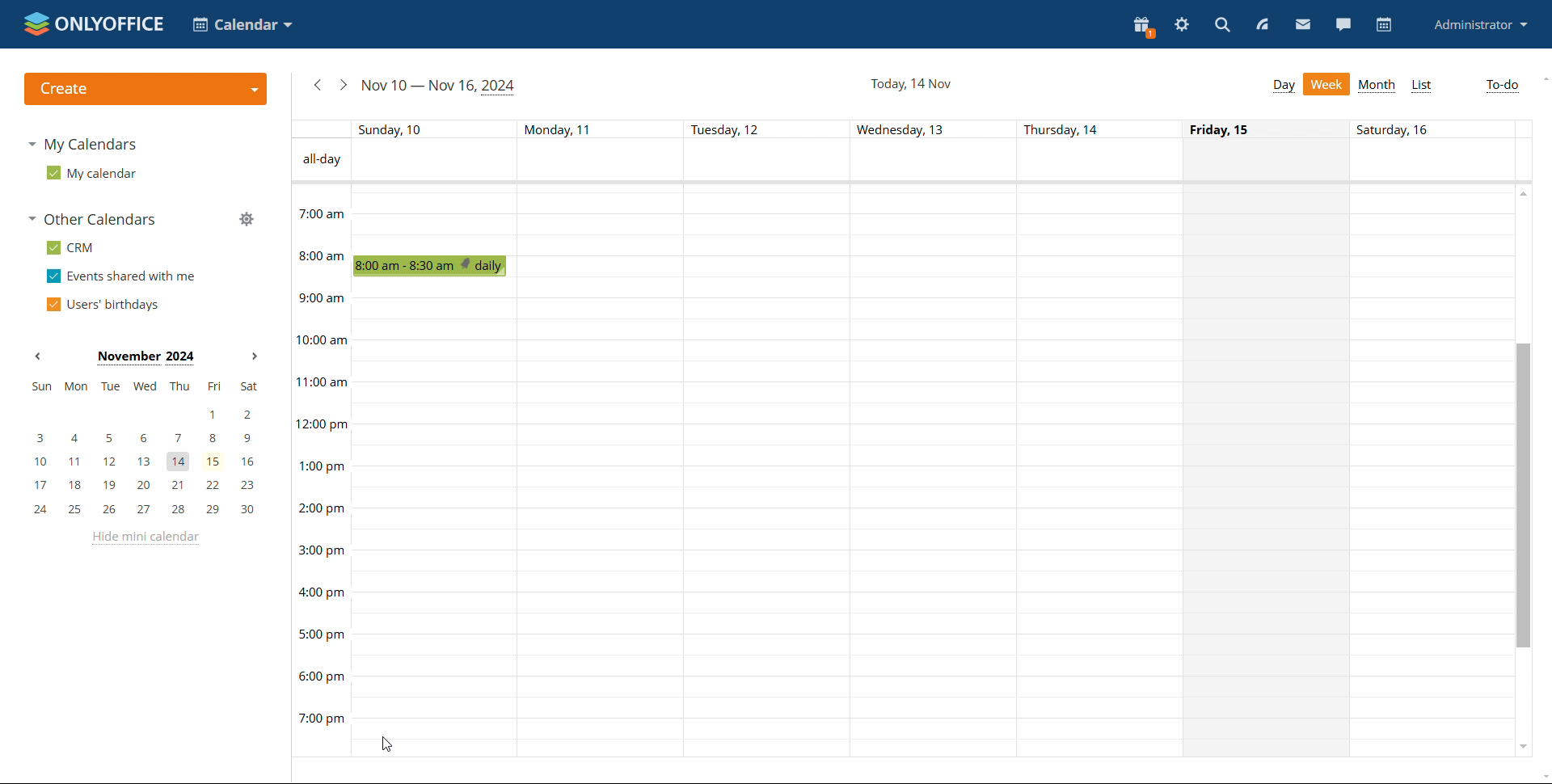  What do you see at coordinates (1500, 86) in the screenshot?
I see `to-do` at bounding box center [1500, 86].